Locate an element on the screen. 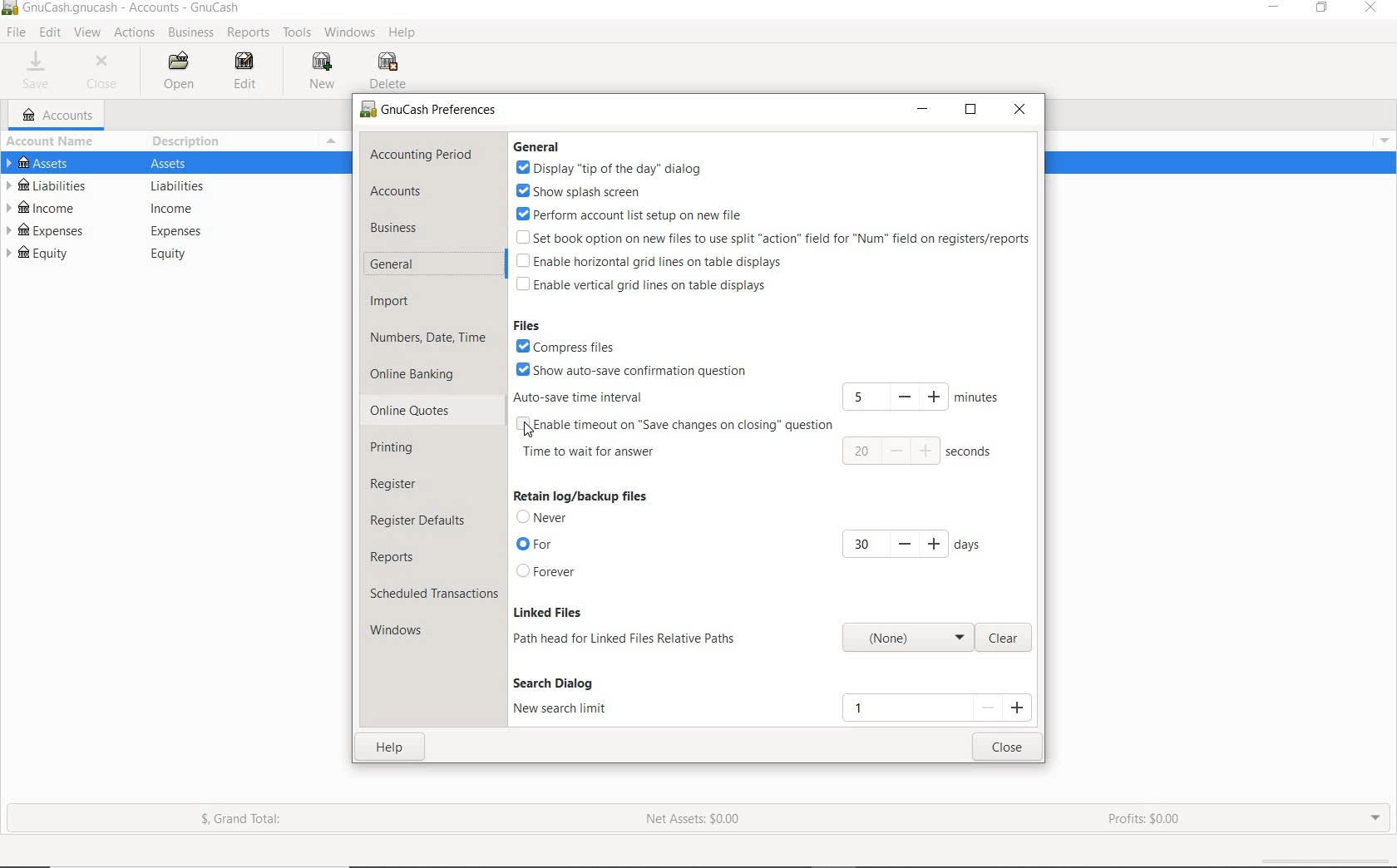 The image size is (1397, 868). ONLINE BANKING is located at coordinates (417, 374).